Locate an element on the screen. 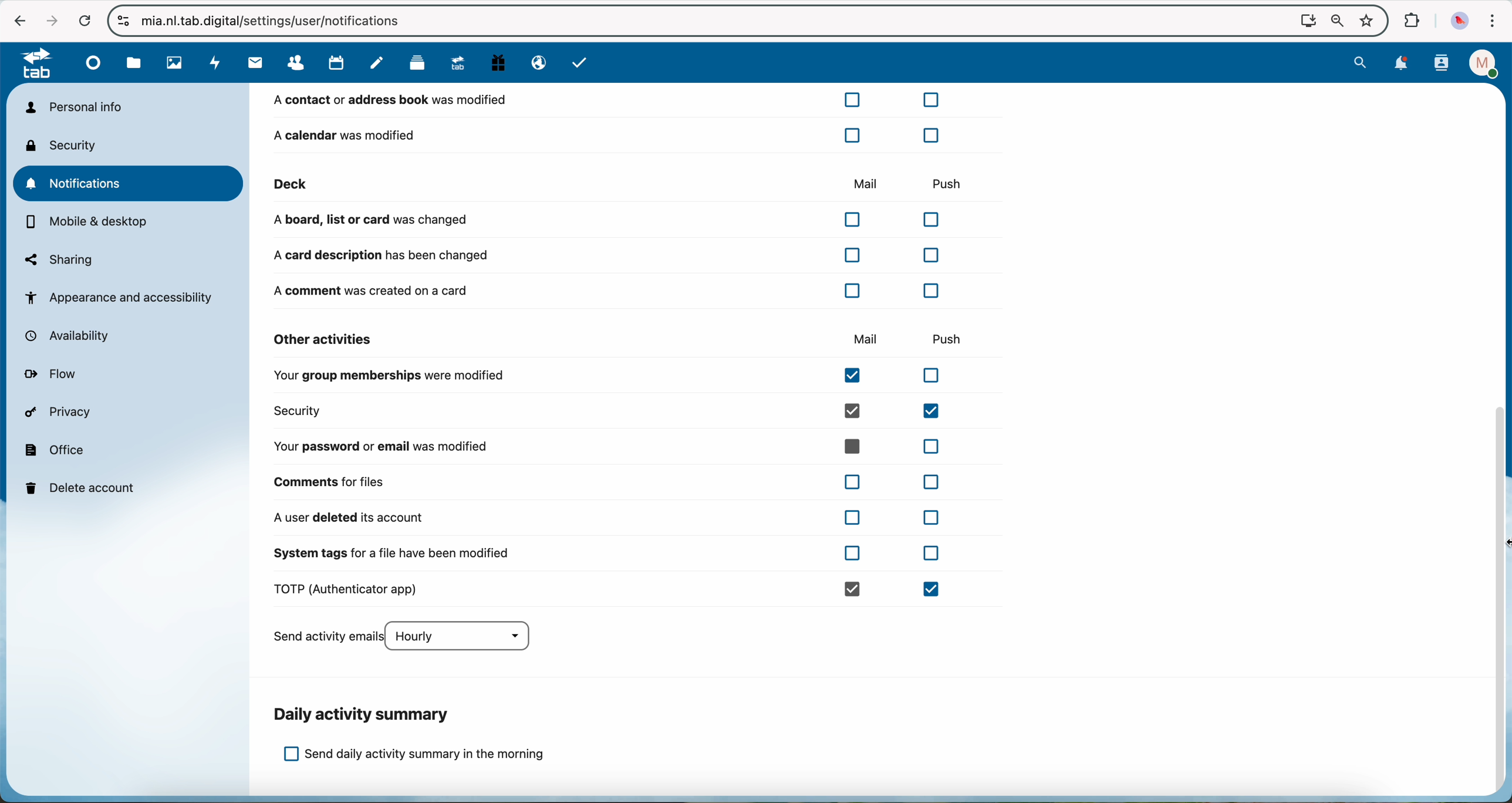 The image size is (1512, 803). TOTP (authenticator app) is located at coordinates (612, 590).